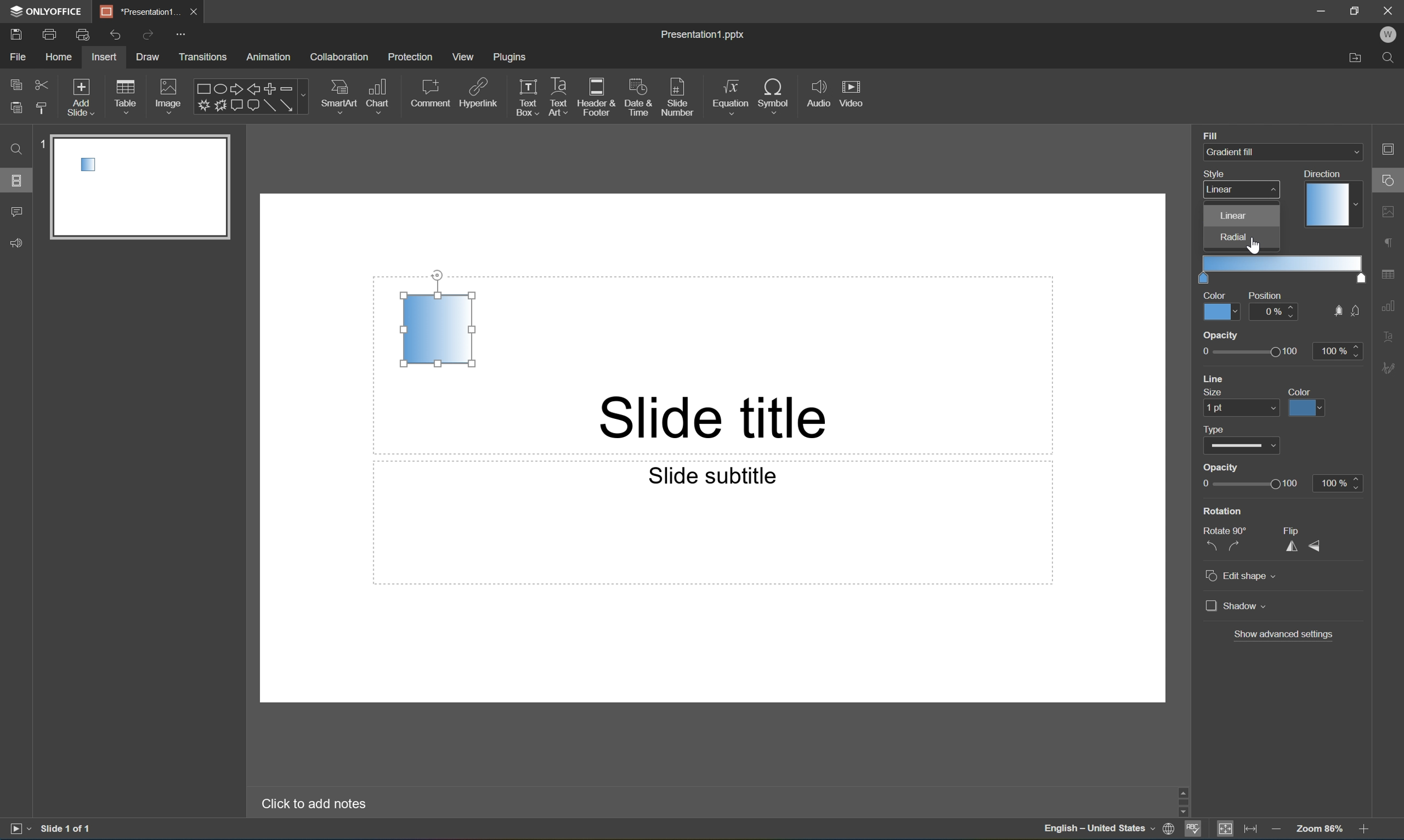  What do you see at coordinates (678, 93) in the screenshot?
I see `Slide number` at bounding box center [678, 93].